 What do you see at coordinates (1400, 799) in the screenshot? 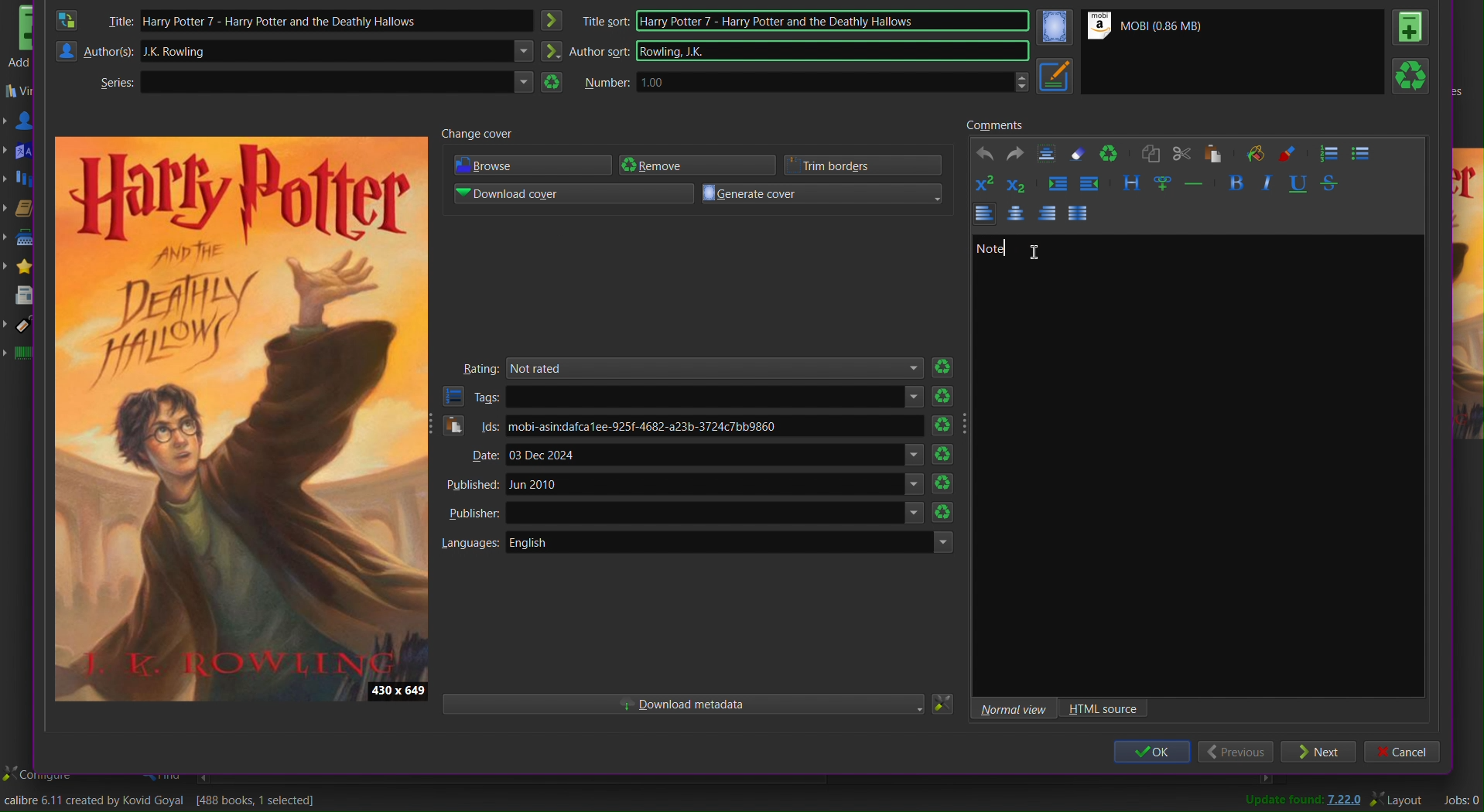
I see `Layout` at bounding box center [1400, 799].